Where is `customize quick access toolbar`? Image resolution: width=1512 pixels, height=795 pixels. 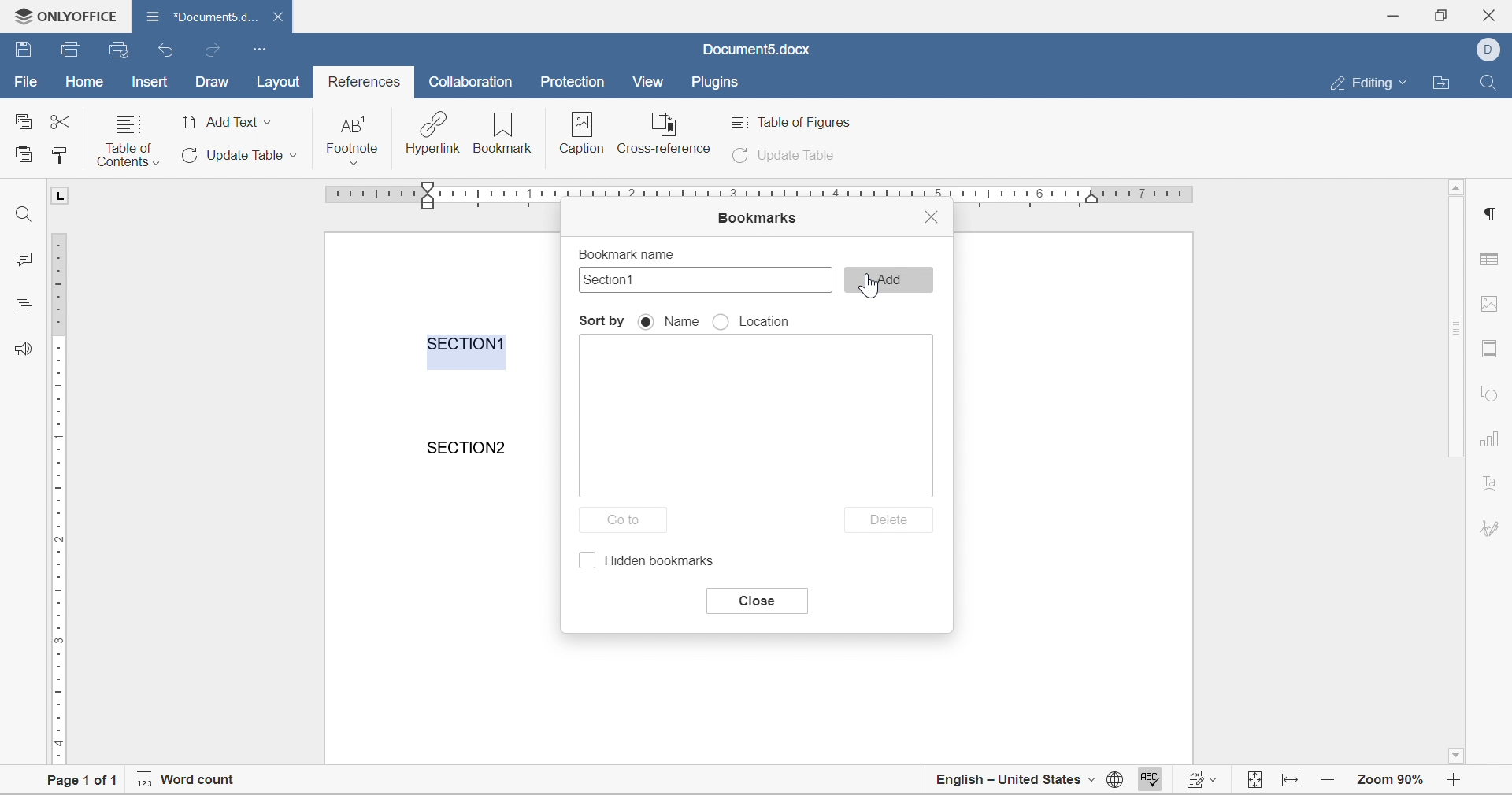 customize quick access toolbar is located at coordinates (261, 48).